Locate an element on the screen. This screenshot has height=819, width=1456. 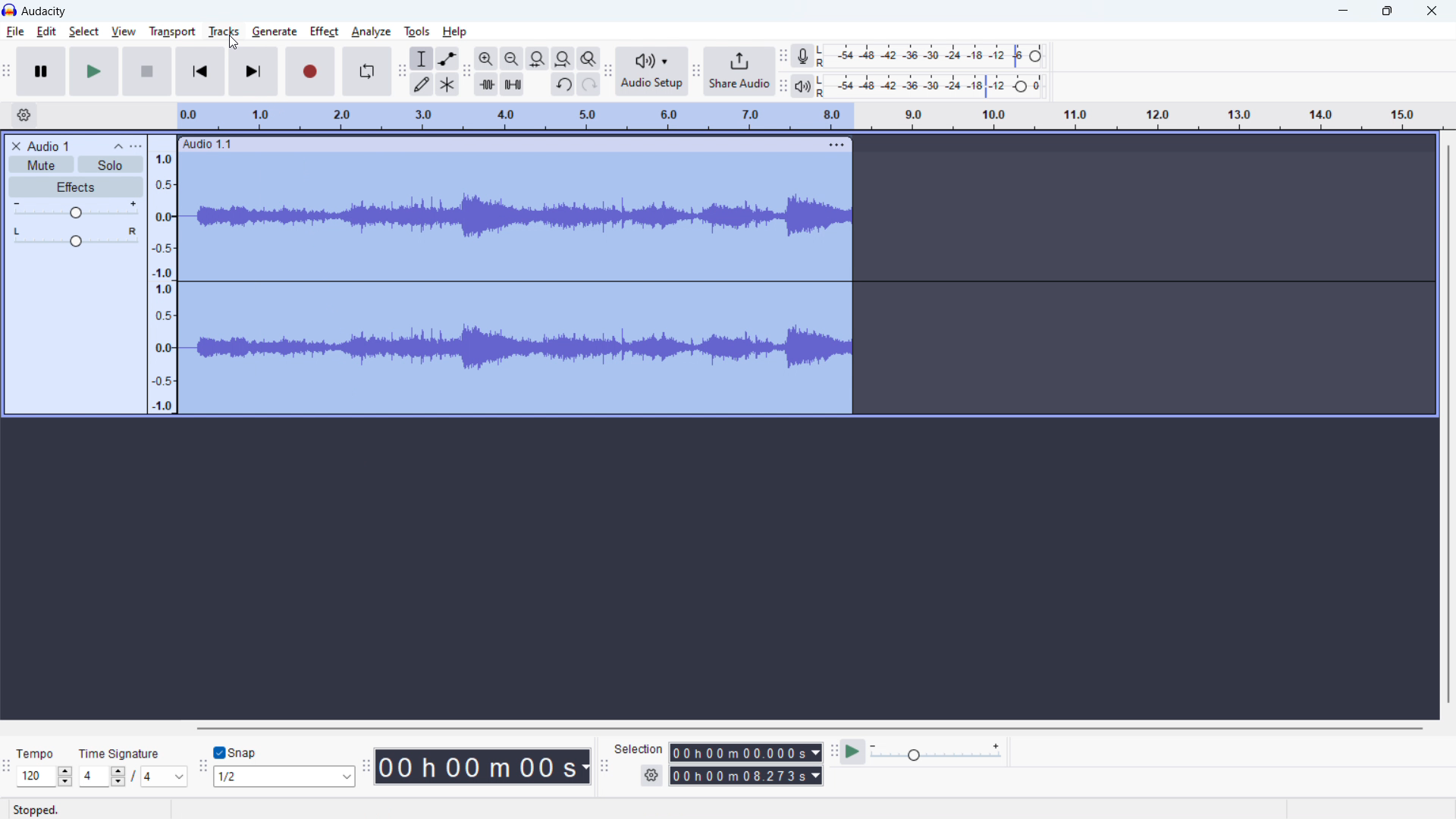
delete track is located at coordinates (14, 145).